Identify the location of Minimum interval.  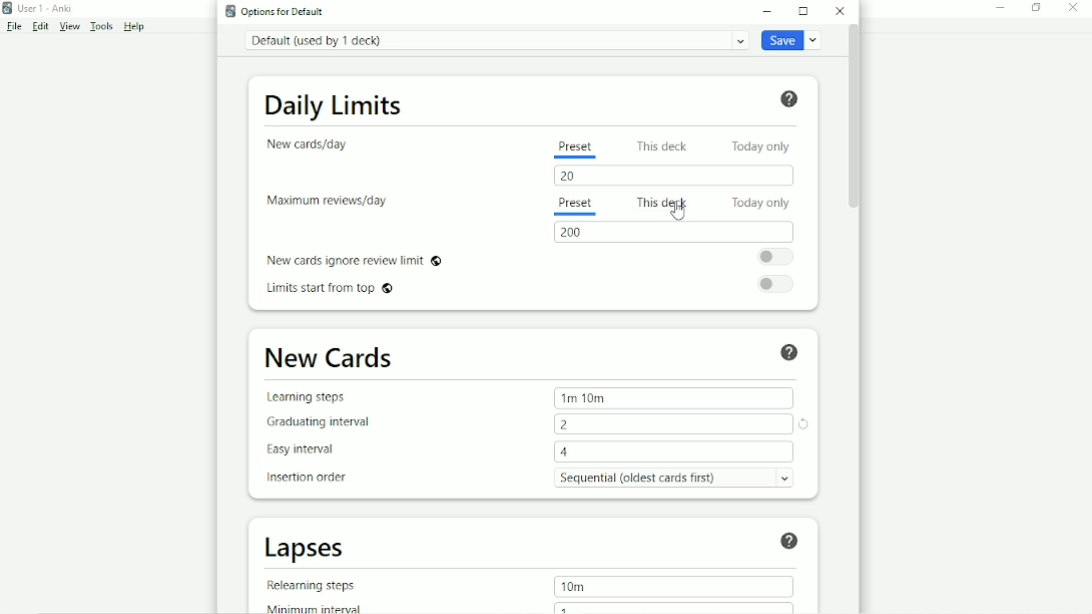
(320, 607).